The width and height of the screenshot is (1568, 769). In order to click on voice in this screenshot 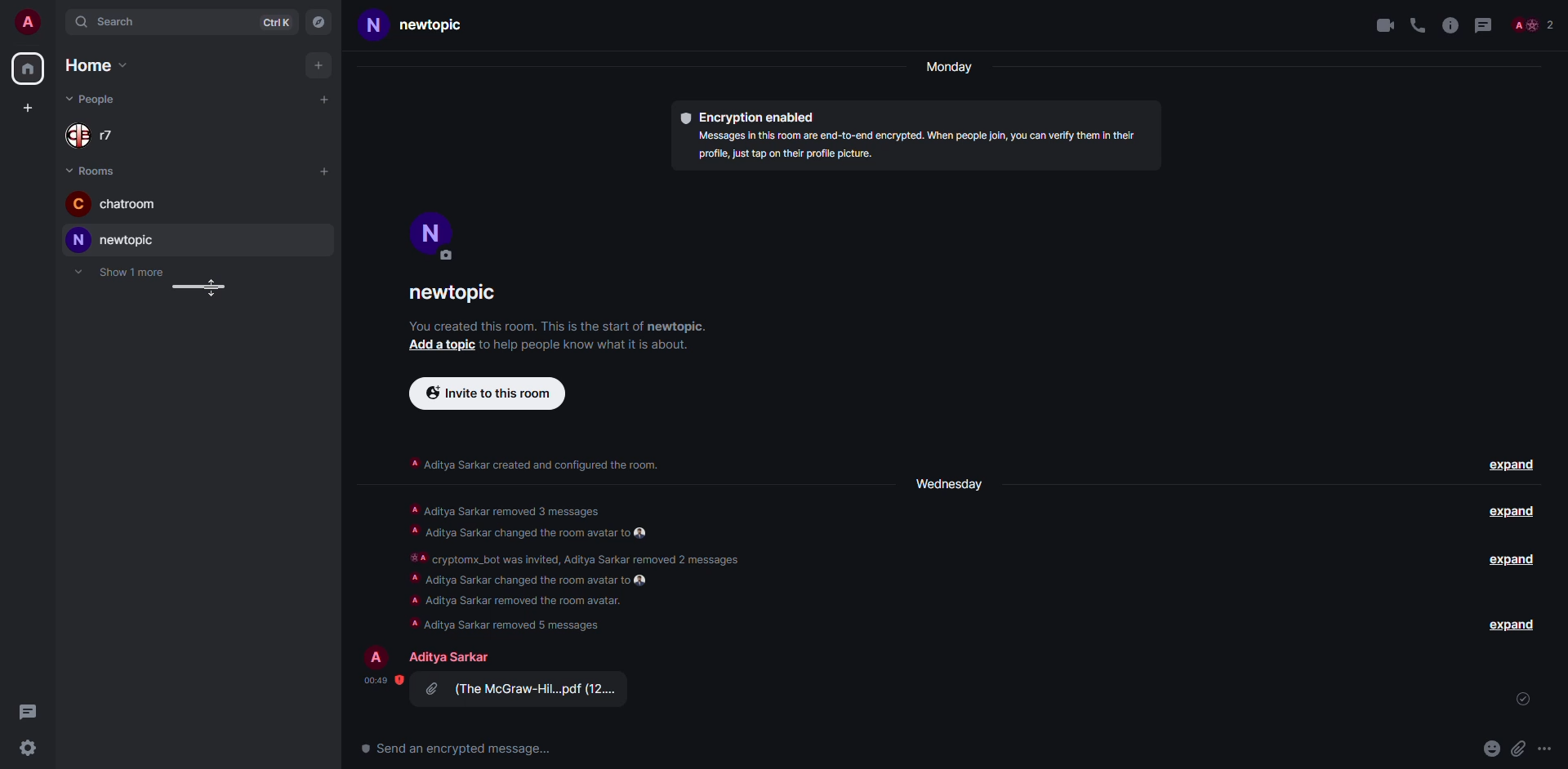, I will do `click(1418, 26)`.